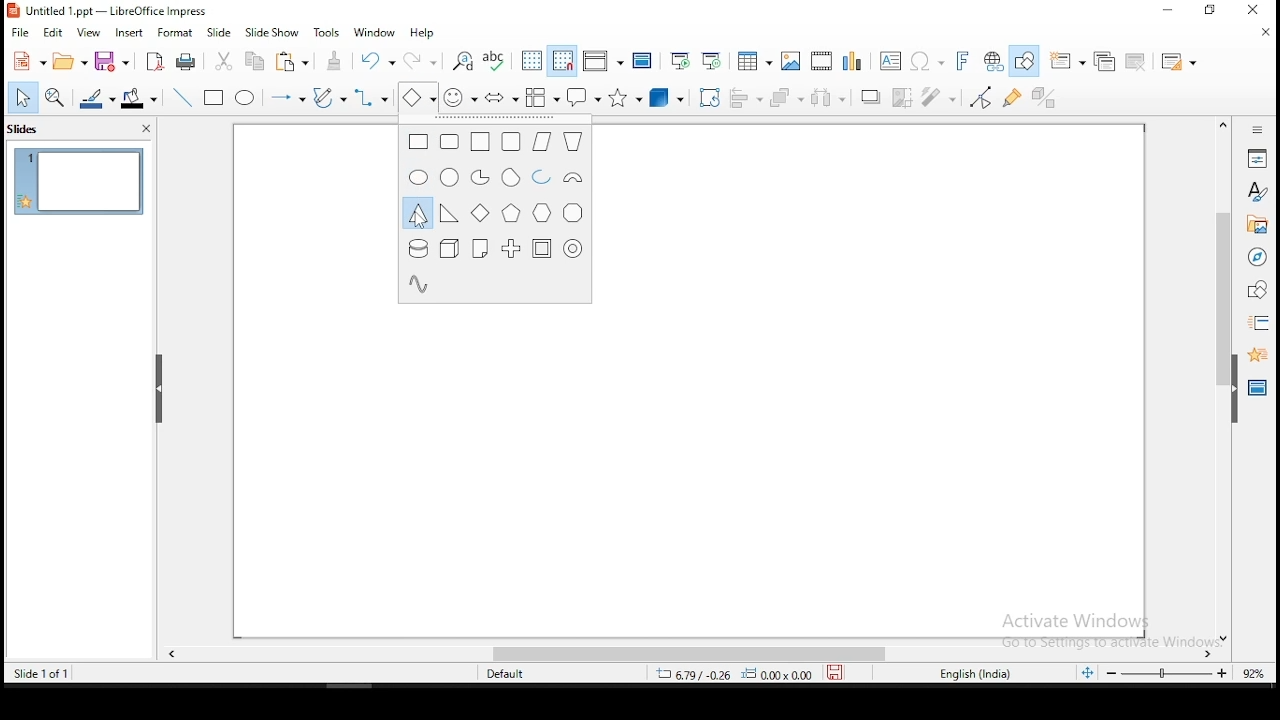 The width and height of the screenshot is (1280, 720). Describe the element at coordinates (1023, 62) in the screenshot. I see `show draw functions` at that location.